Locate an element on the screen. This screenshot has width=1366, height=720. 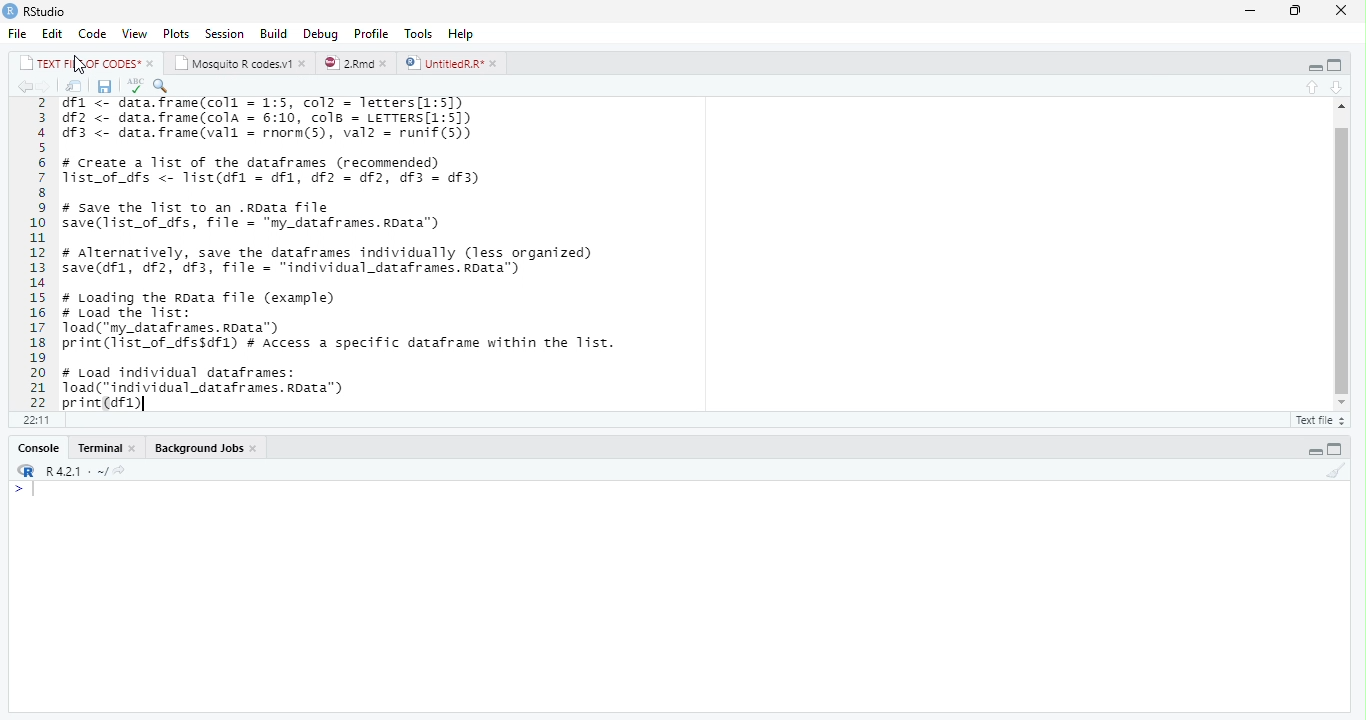
Console is located at coordinates (37, 448).